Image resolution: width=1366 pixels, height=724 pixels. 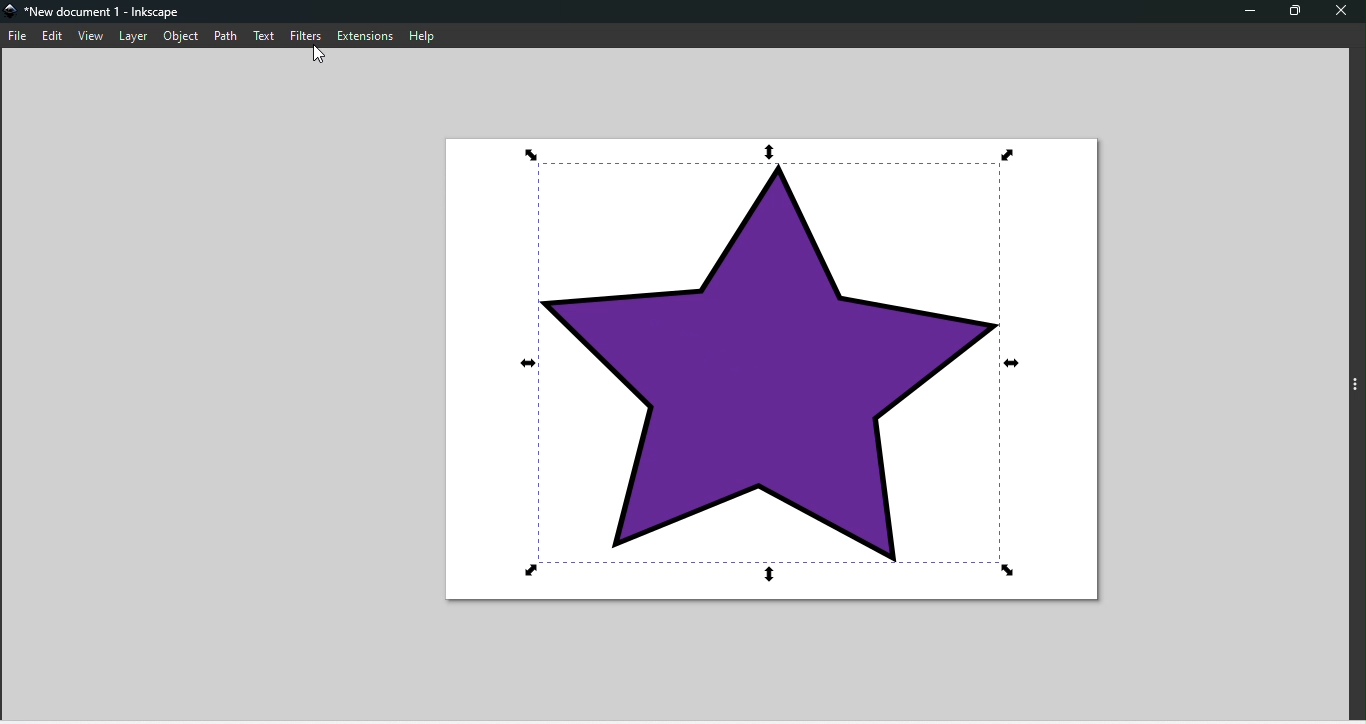 I want to click on *New document 1 - Inkscape, so click(x=105, y=13).